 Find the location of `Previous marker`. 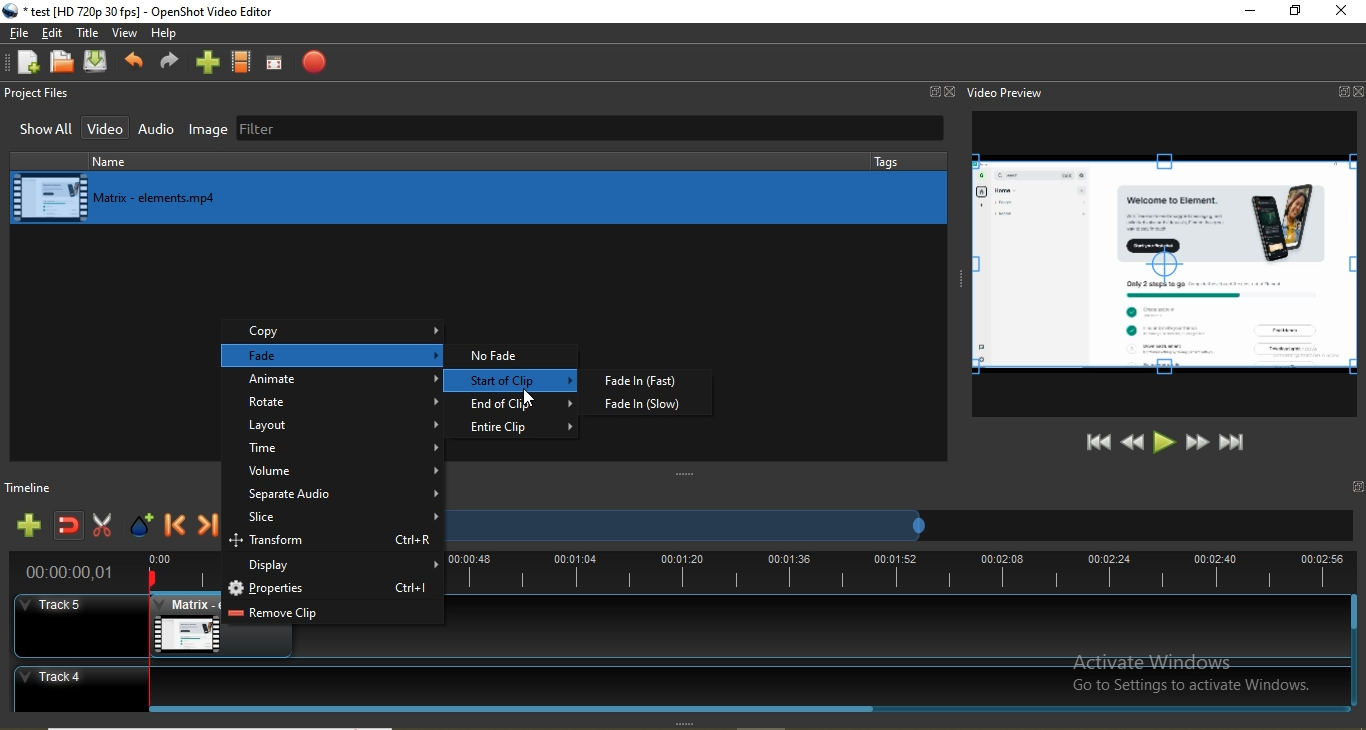

Previous marker is located at coordinates (176, 529).